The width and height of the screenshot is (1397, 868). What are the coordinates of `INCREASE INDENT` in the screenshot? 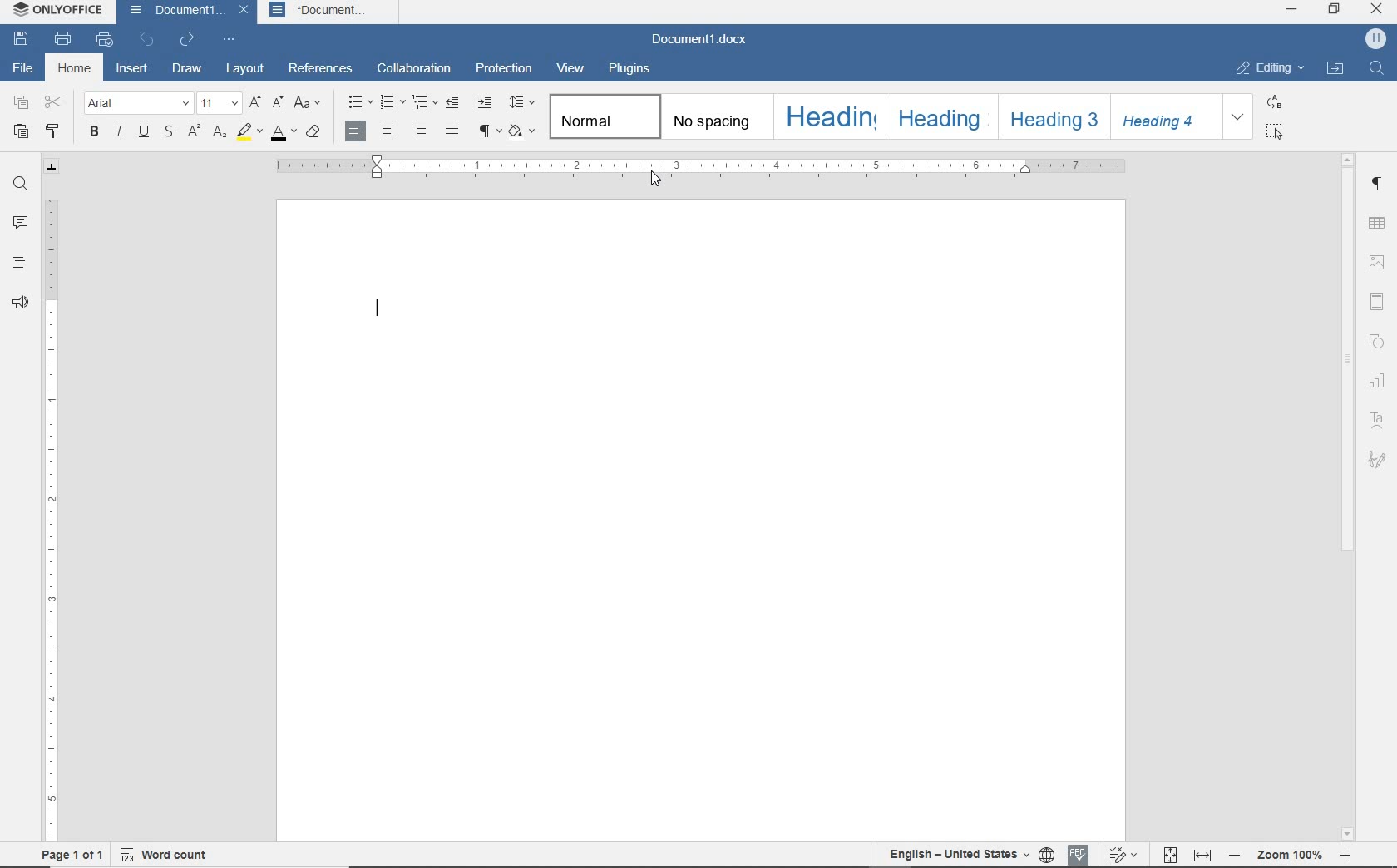 It's located at (485, 103).